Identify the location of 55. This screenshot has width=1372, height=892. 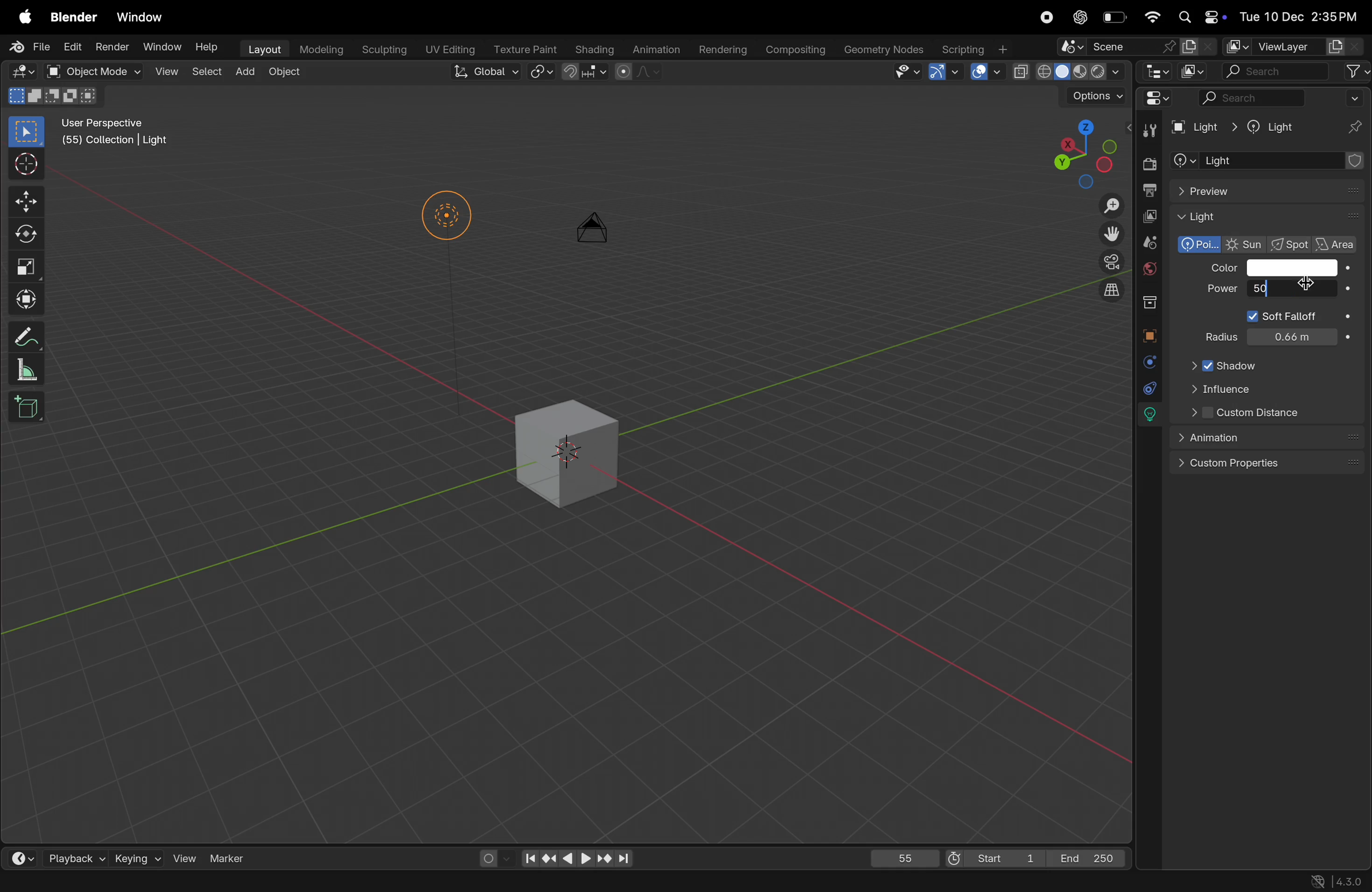
(902, 856).